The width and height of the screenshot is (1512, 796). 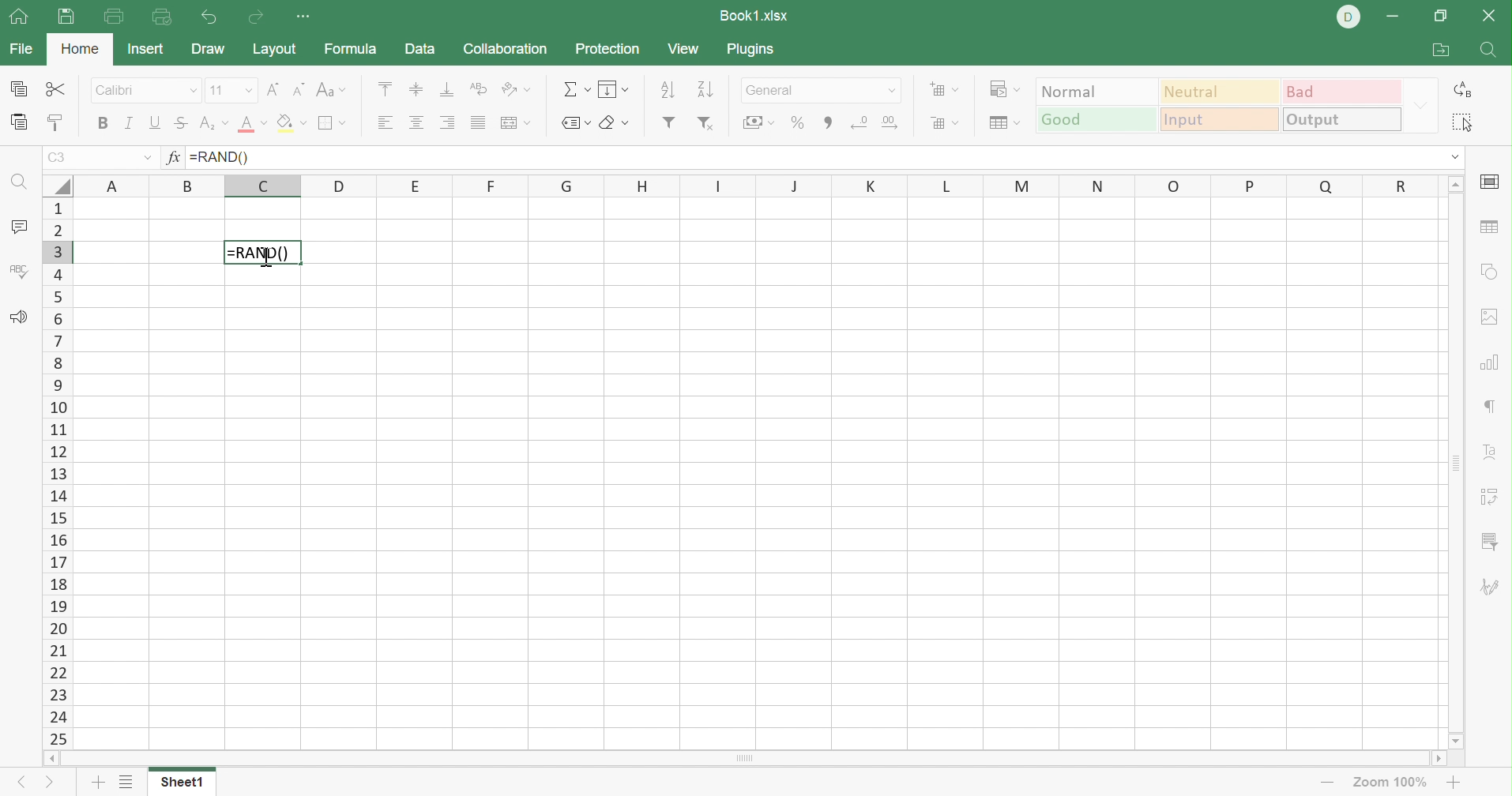 What do you see at coordinates (415, 121) in the screenshot?
I see `Align center` at bounding box center [415, 121].